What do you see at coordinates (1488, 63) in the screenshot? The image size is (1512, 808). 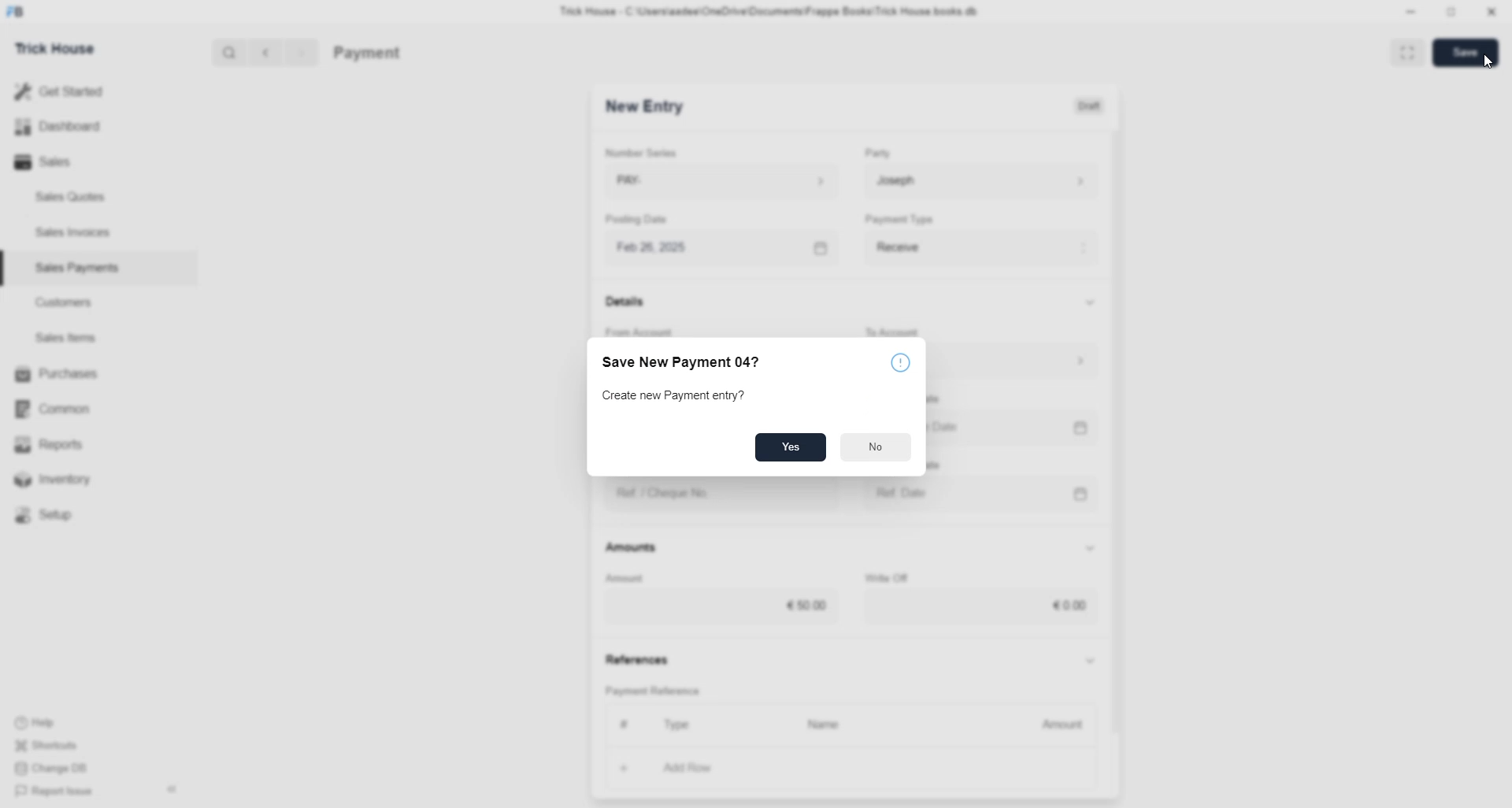 I see `cursor` at bounding box center [1488, 63].